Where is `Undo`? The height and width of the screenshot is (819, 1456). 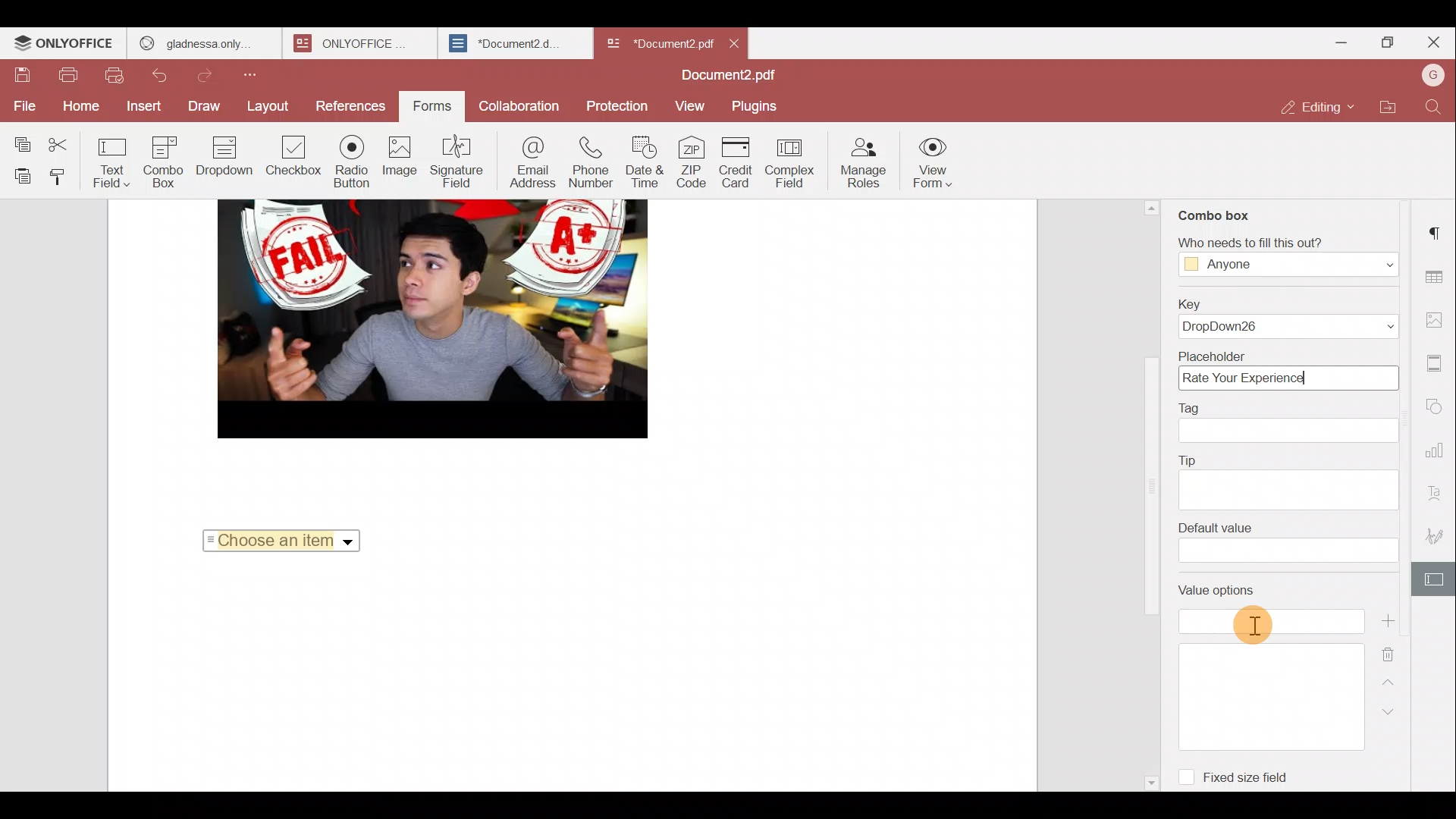 Undo is located at coordinates (164, 75).